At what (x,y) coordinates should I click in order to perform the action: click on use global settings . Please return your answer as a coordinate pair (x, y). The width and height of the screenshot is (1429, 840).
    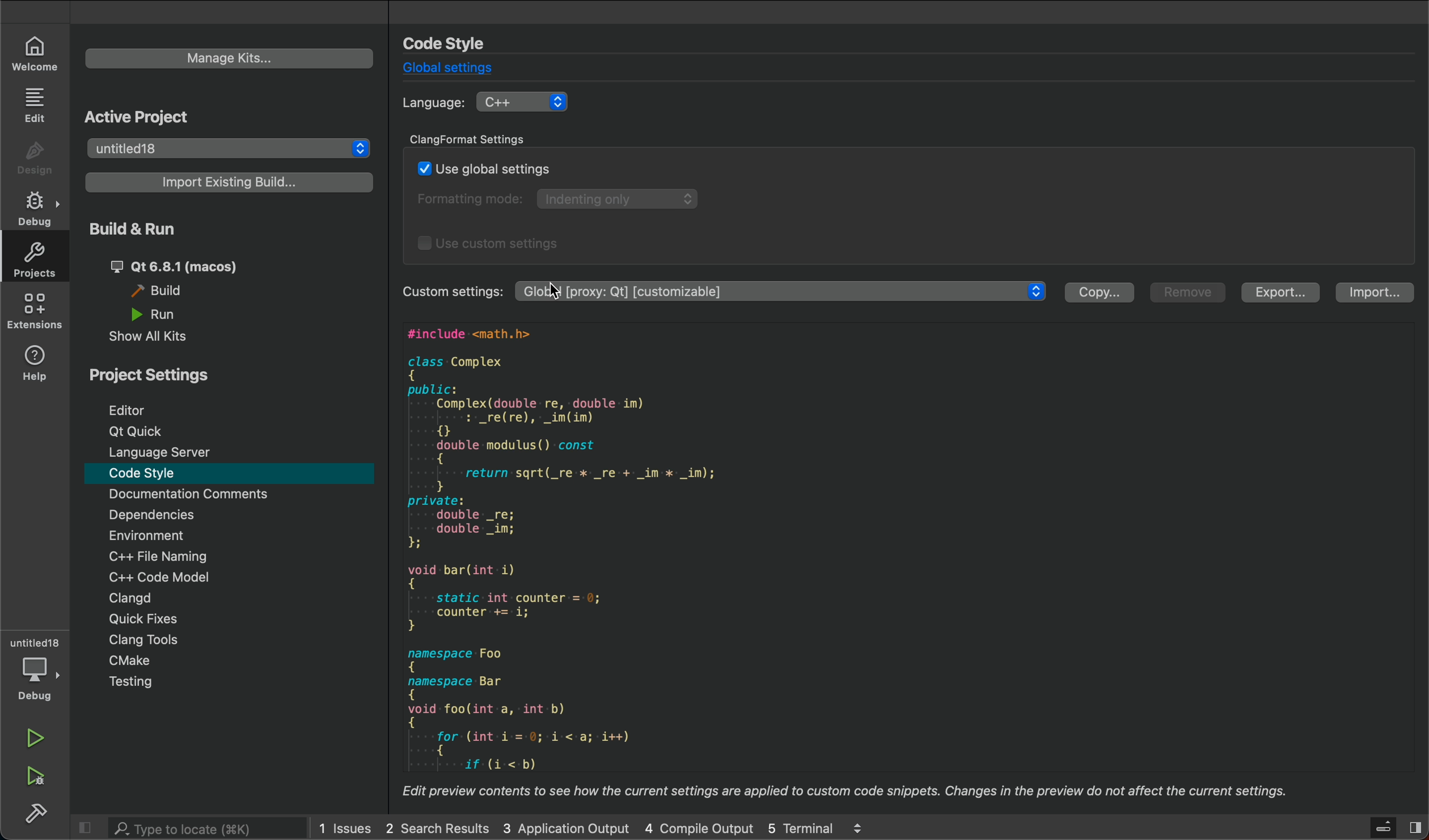
    Looking at the image, I should click on (485, 166).